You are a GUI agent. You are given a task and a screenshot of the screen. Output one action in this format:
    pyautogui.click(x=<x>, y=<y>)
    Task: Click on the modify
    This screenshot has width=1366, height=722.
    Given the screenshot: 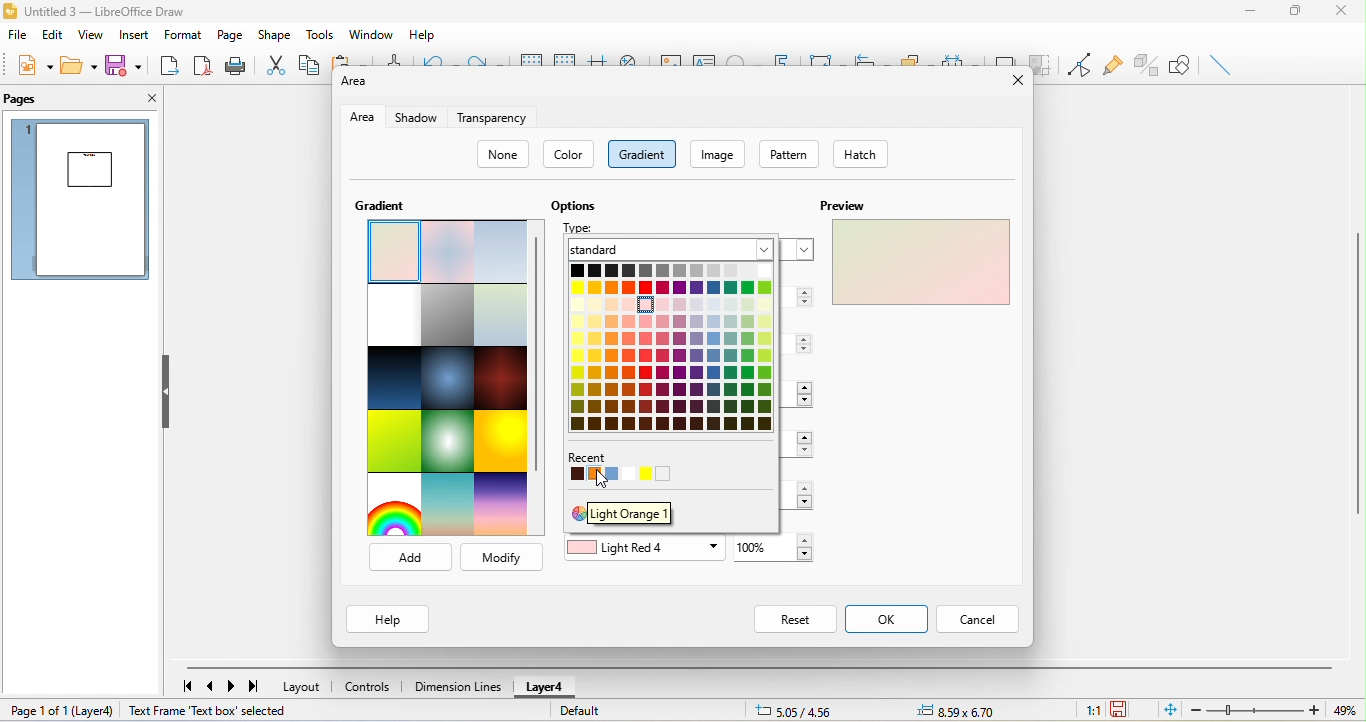 What is the action you would take?
    pyautogui.click(x=501, y=556)
    